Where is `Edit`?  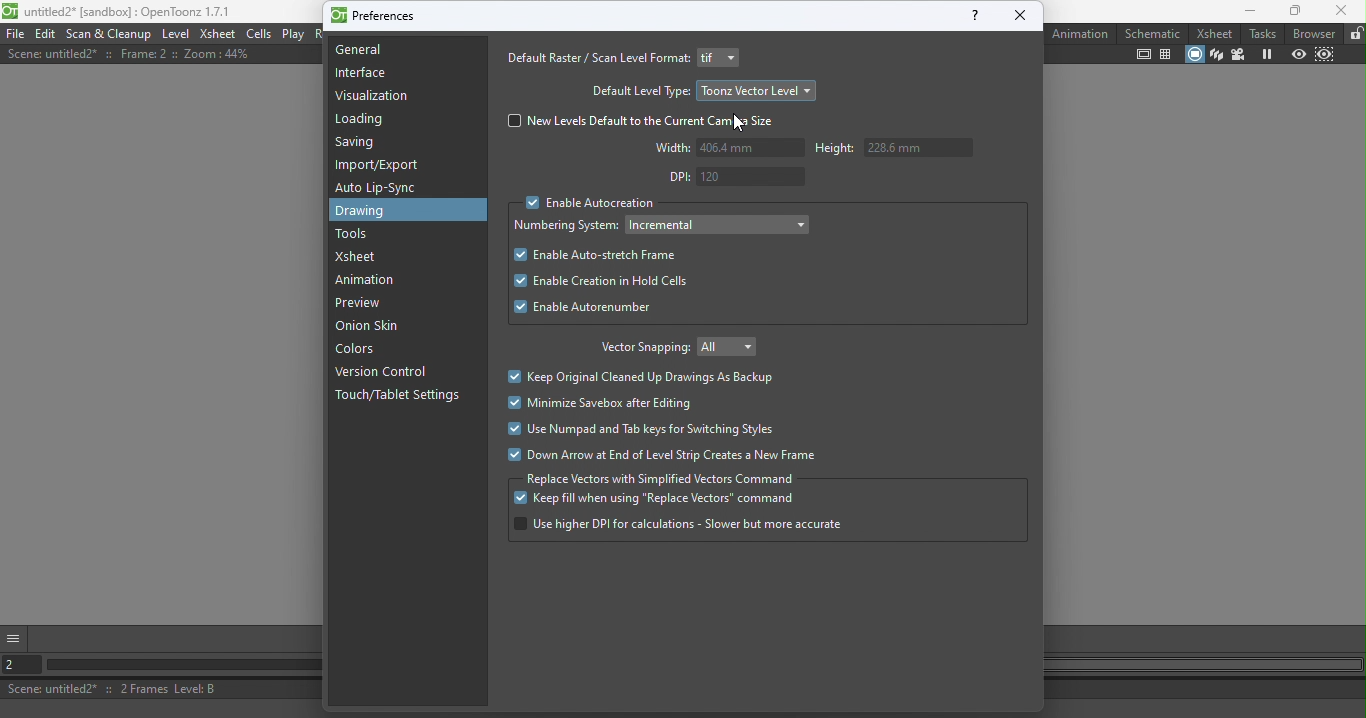
Edit is located at coordinates (47, 33).